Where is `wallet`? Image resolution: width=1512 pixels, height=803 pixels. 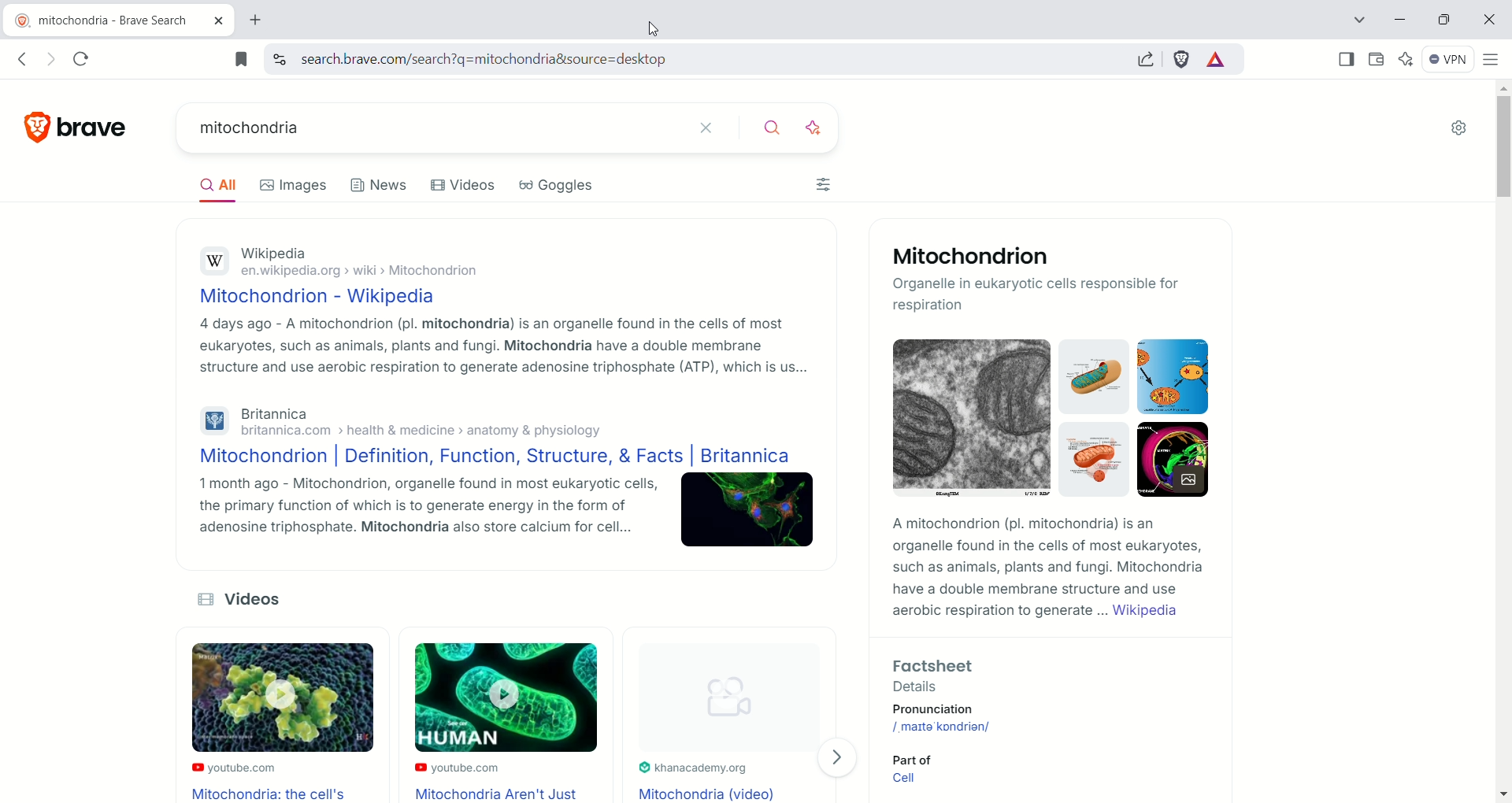 wallet is located at coordinates (1377, 60).